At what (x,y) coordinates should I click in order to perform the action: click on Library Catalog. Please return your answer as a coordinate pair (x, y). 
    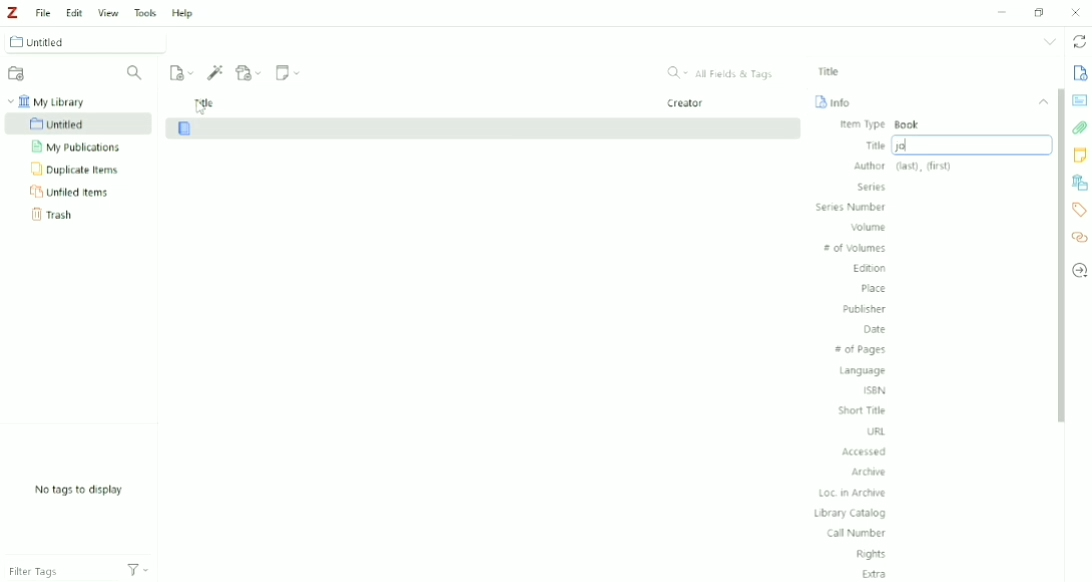
    Looking at the image, I should click on (850, 513).